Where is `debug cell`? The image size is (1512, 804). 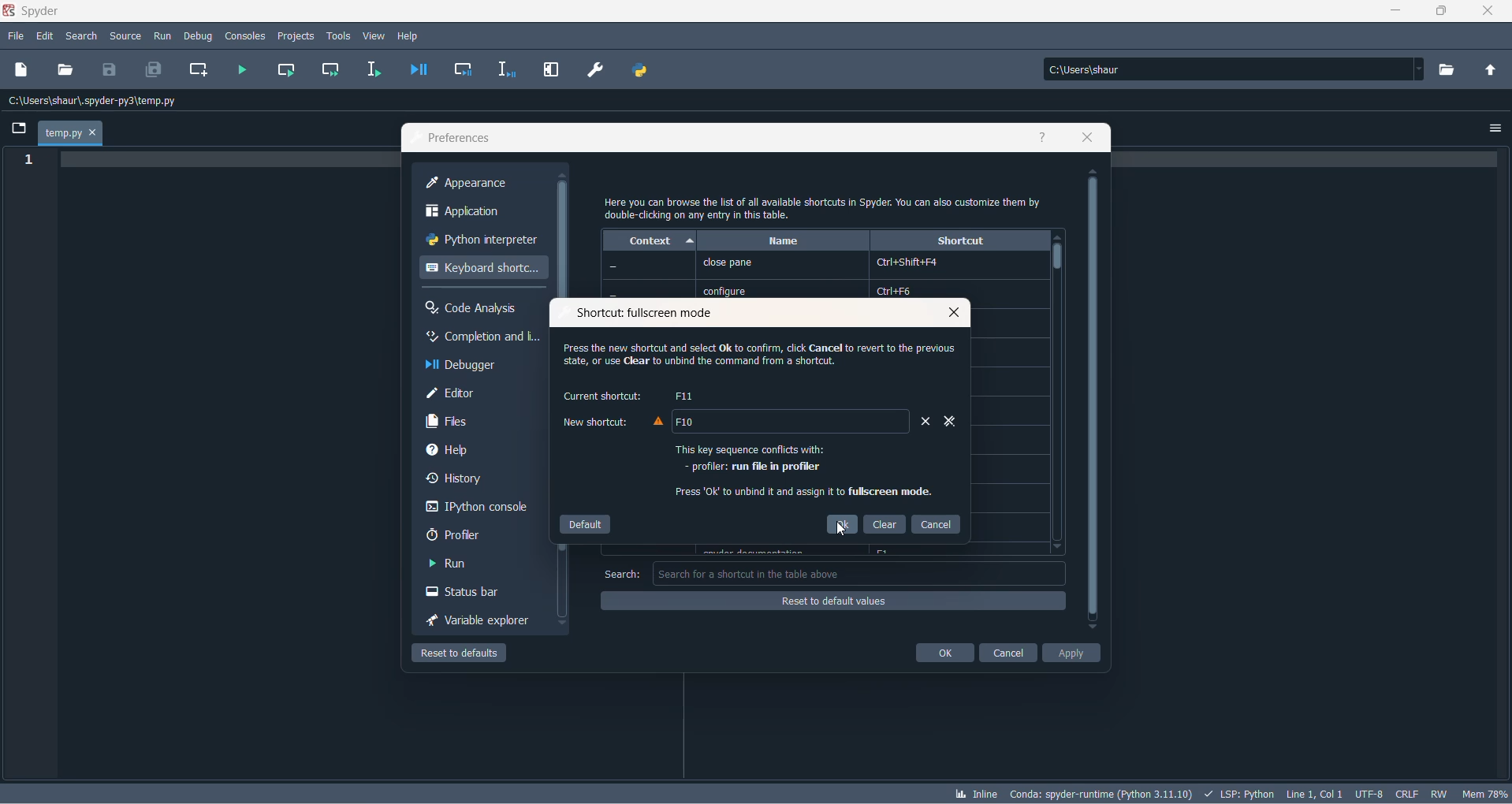
debug cell is located at coordinates (464, 71).